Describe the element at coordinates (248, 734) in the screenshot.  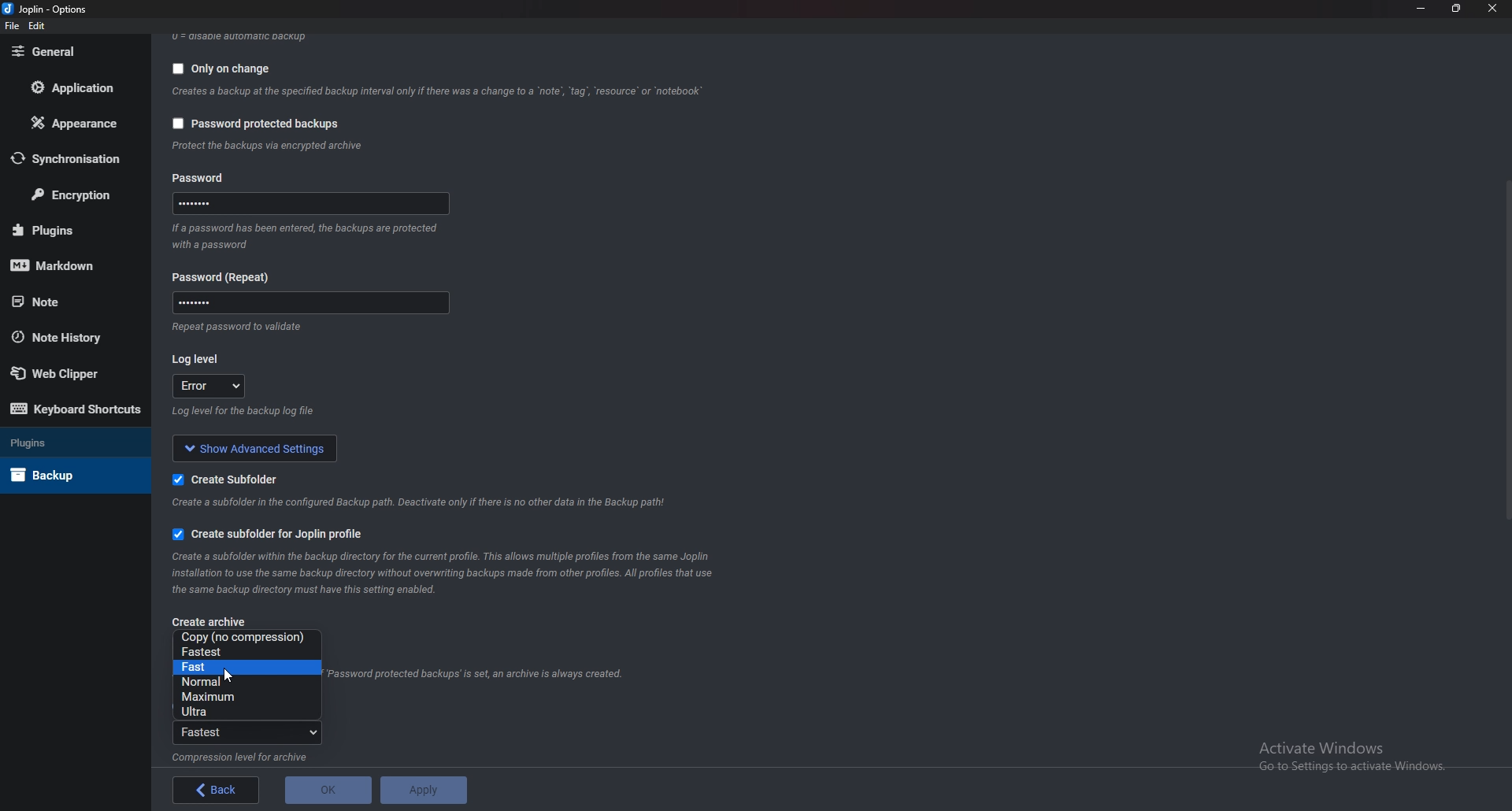
I see `Fastest` at that location.